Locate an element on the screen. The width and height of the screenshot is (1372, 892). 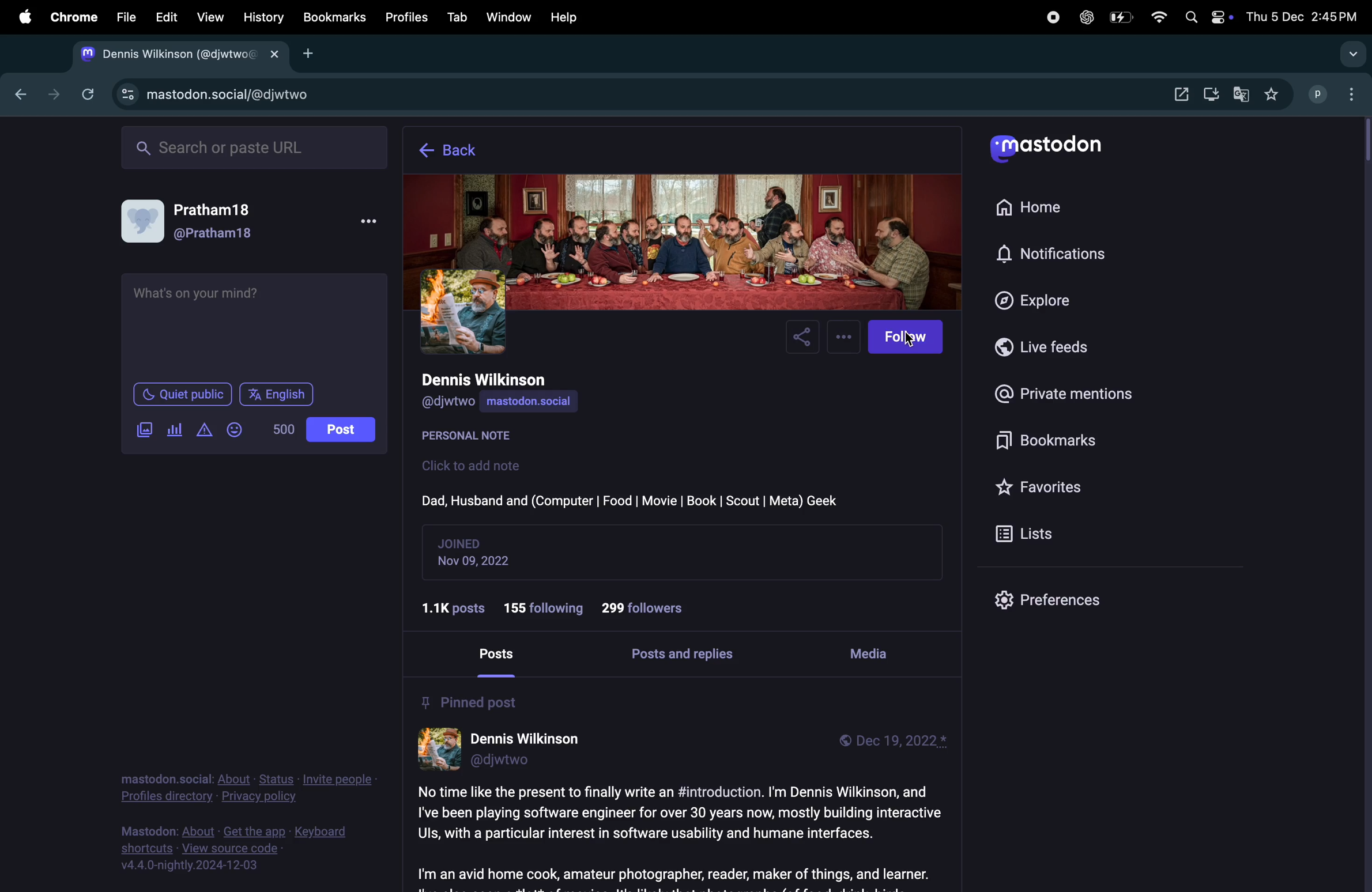
date is located at coordinates (900, 742).